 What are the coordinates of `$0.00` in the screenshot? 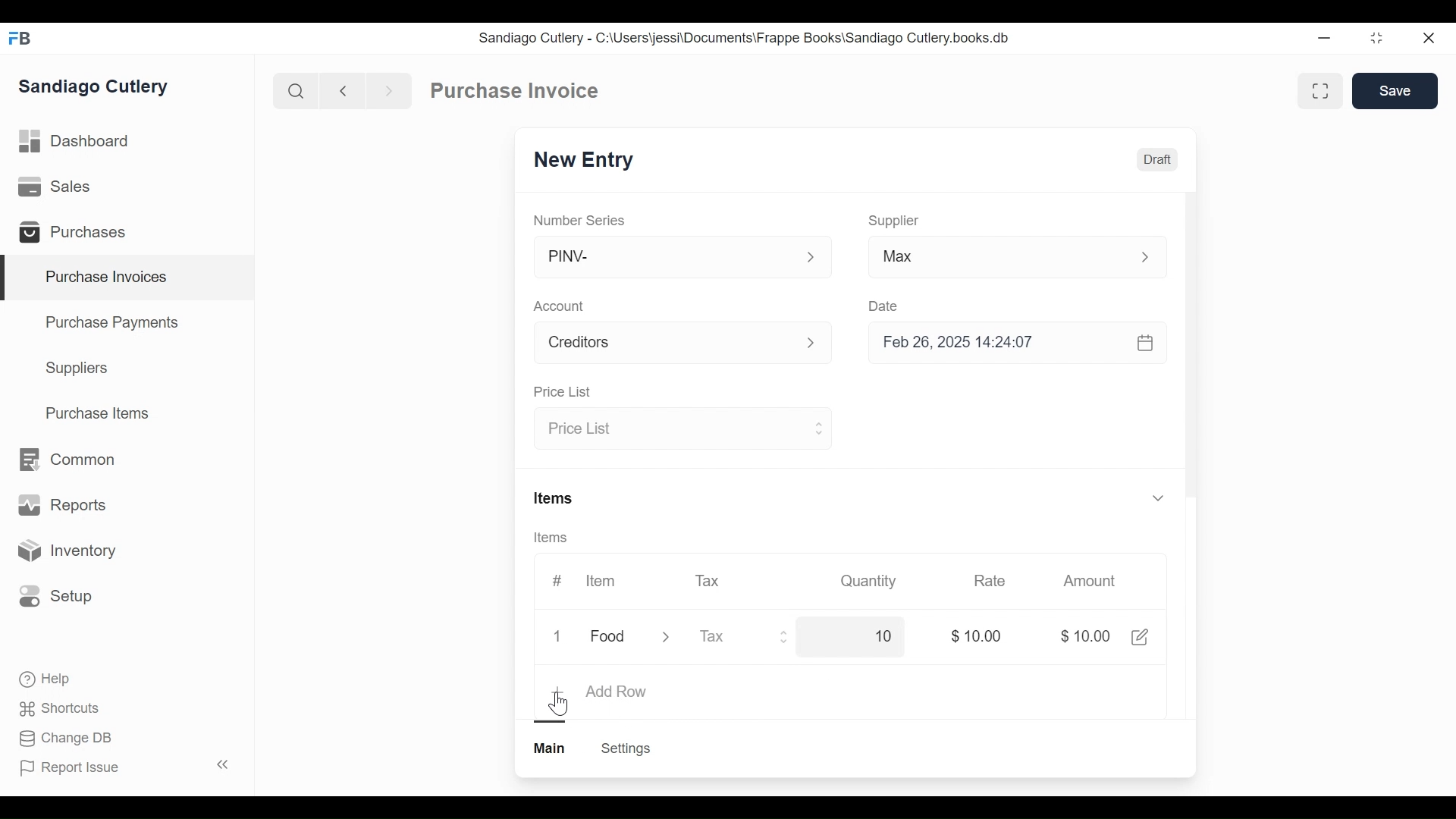 It's located at (1088, 638).